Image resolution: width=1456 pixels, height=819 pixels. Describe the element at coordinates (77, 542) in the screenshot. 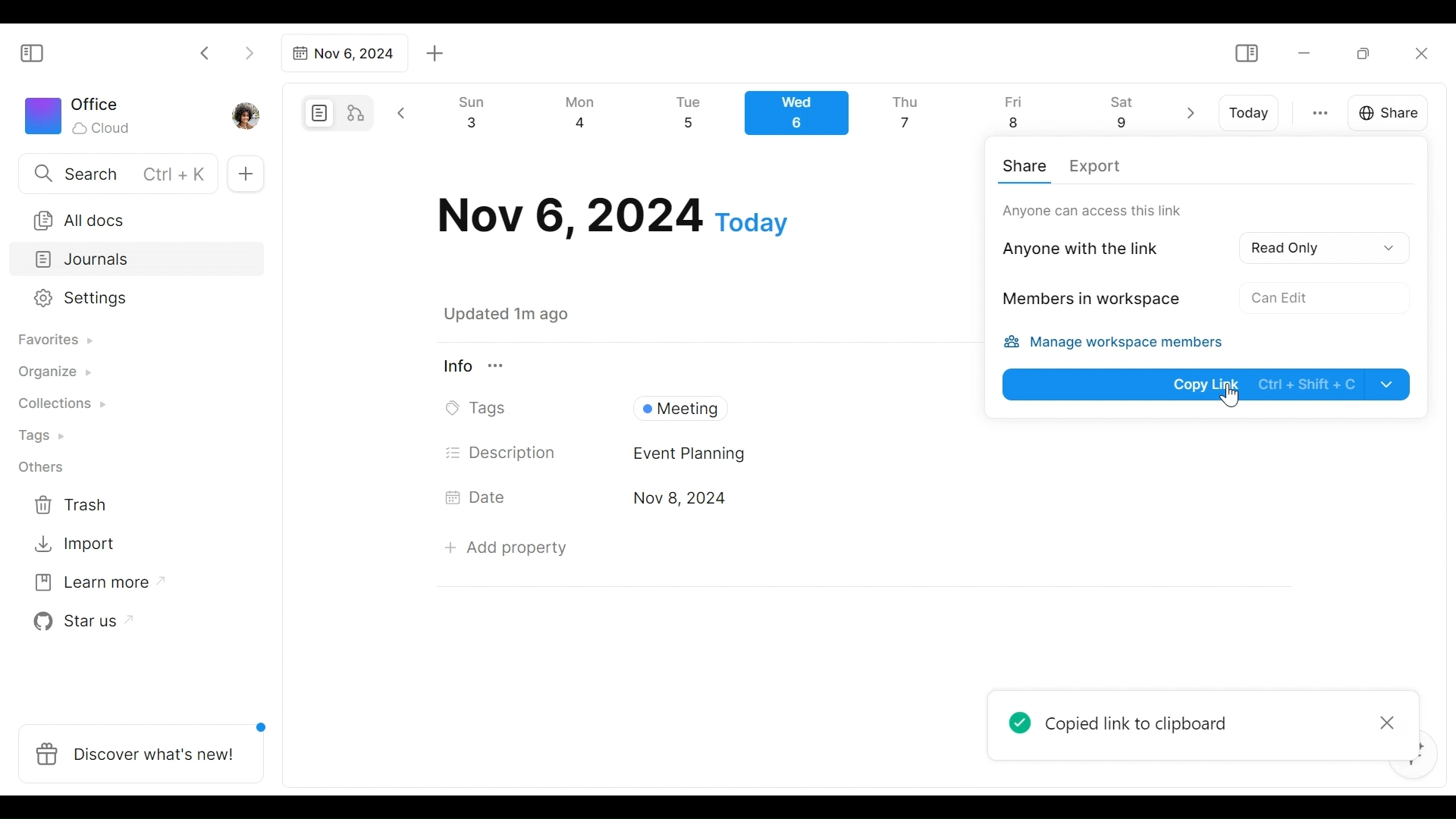

I see `Import` at that location.